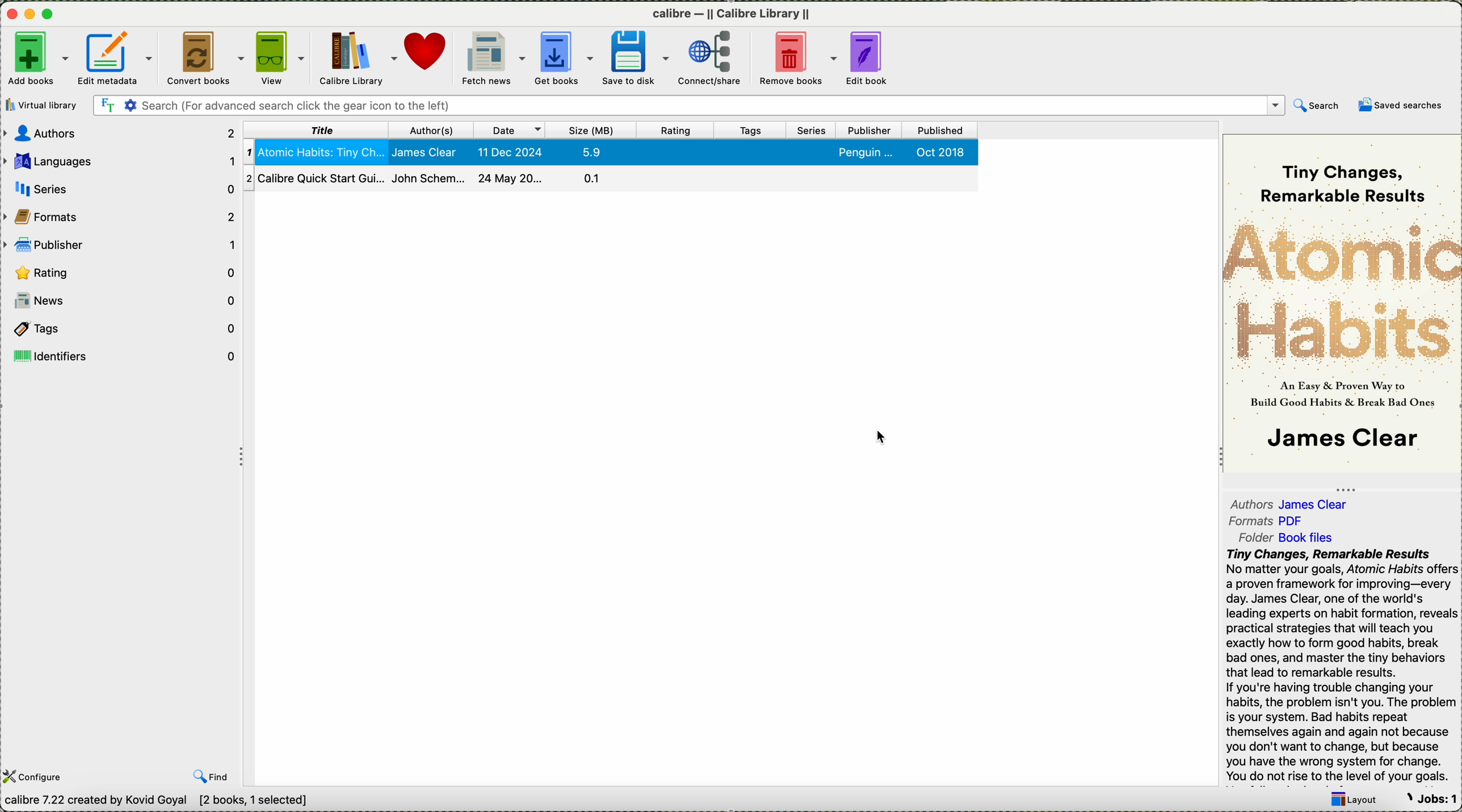 The width and height of the screenshot is (1462, 812). Describe the element at coordinates (1343, 305) in the screenshot. I see `book cover` at that location.